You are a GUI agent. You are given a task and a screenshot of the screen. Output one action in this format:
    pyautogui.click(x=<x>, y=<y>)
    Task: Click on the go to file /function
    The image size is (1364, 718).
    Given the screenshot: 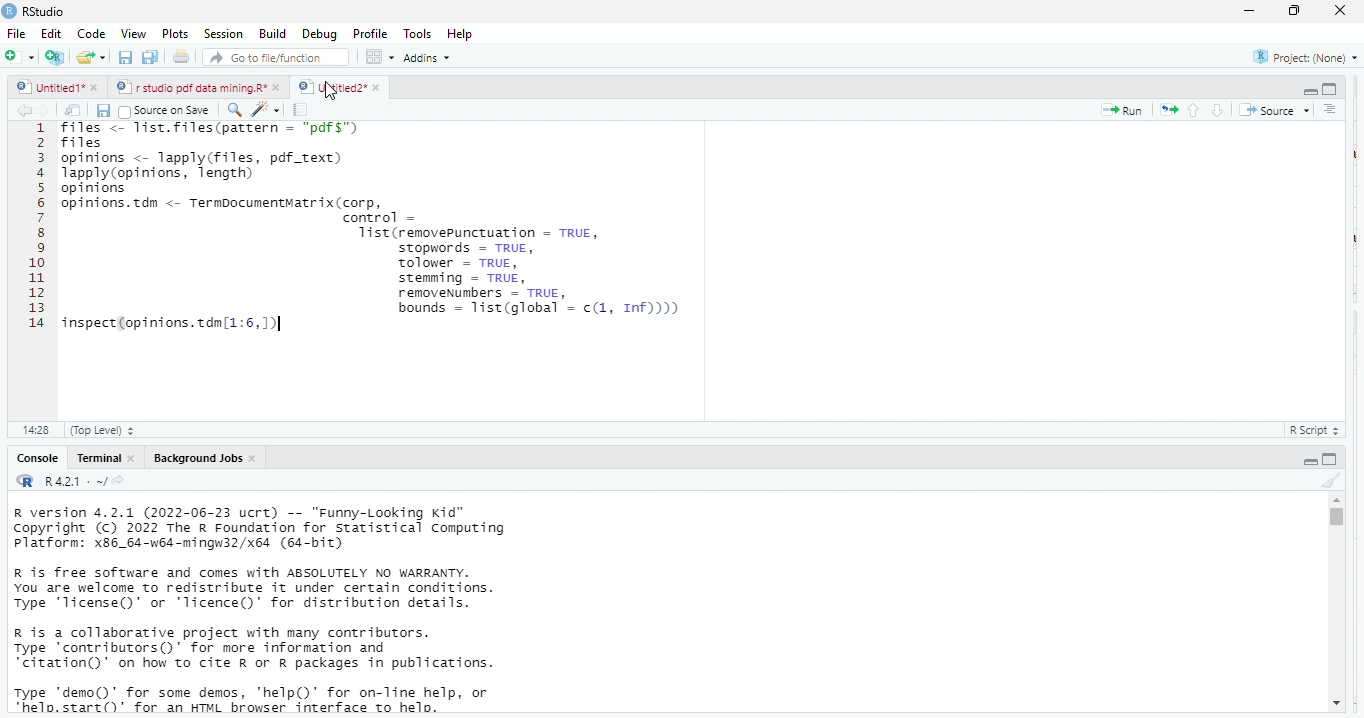 What is the action you would take?
    pyautogui.click(x=272, y=56)
    